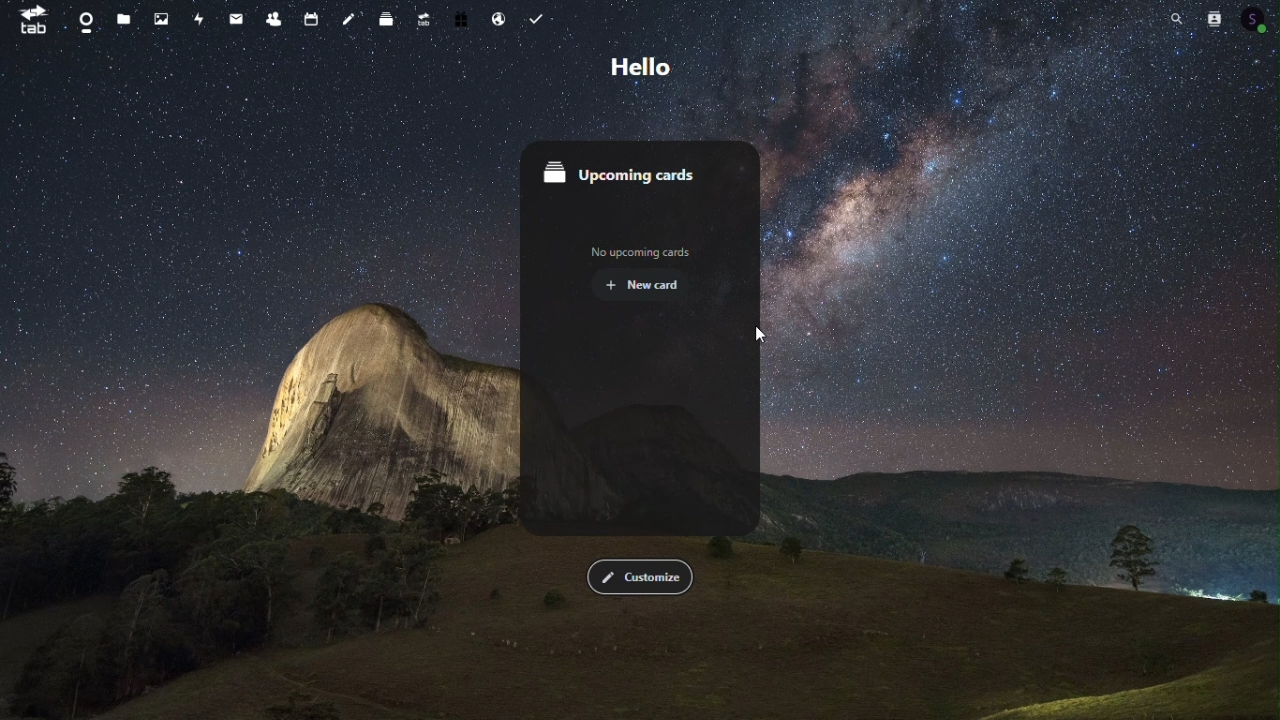 The width and height of the screenshot is (1280, 720). Describe the element at coordinates (640, 577) in the screenshot. I see `Customize` at that location.